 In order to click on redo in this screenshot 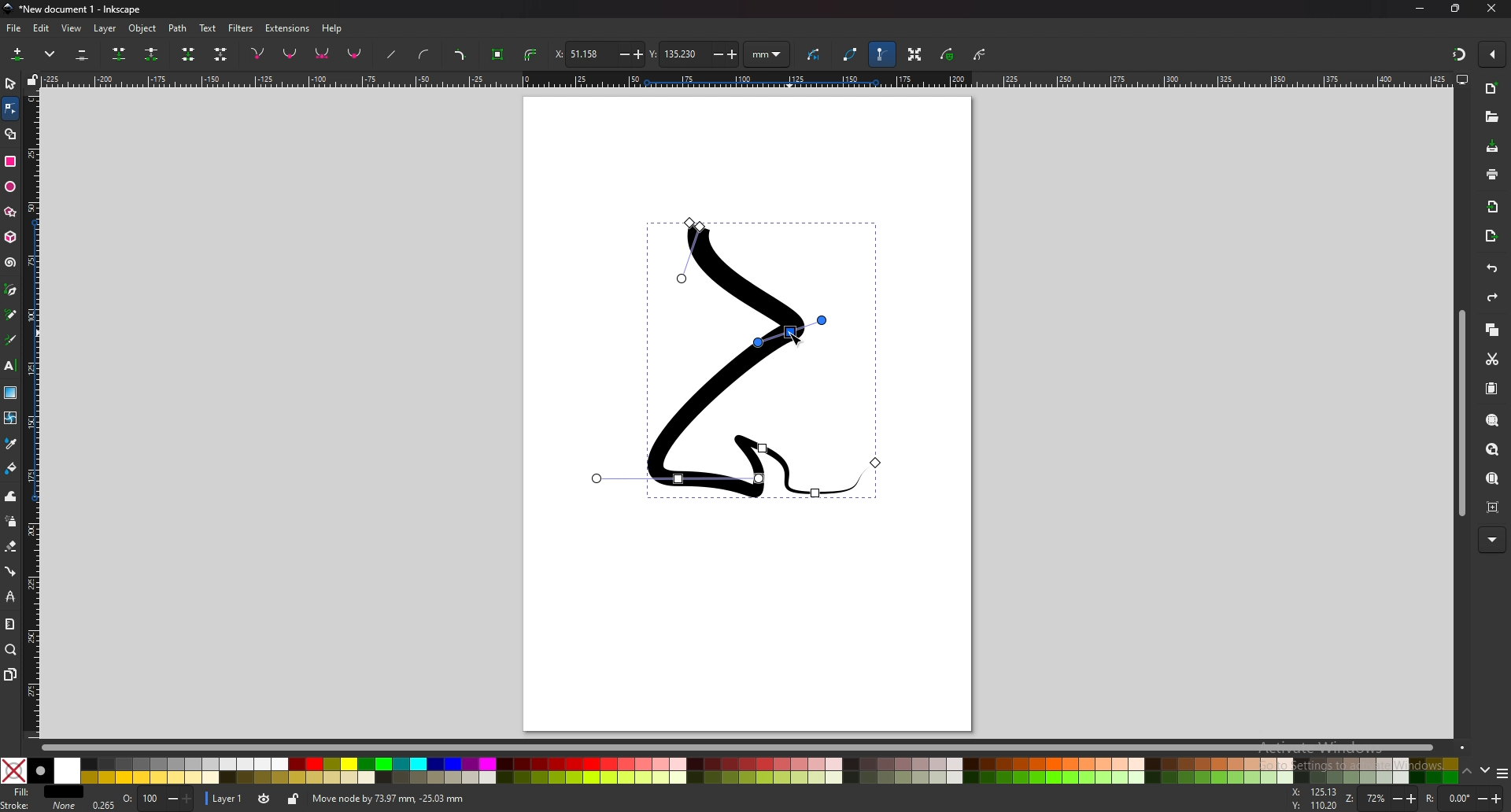, I will do `click(1490, 299)`.